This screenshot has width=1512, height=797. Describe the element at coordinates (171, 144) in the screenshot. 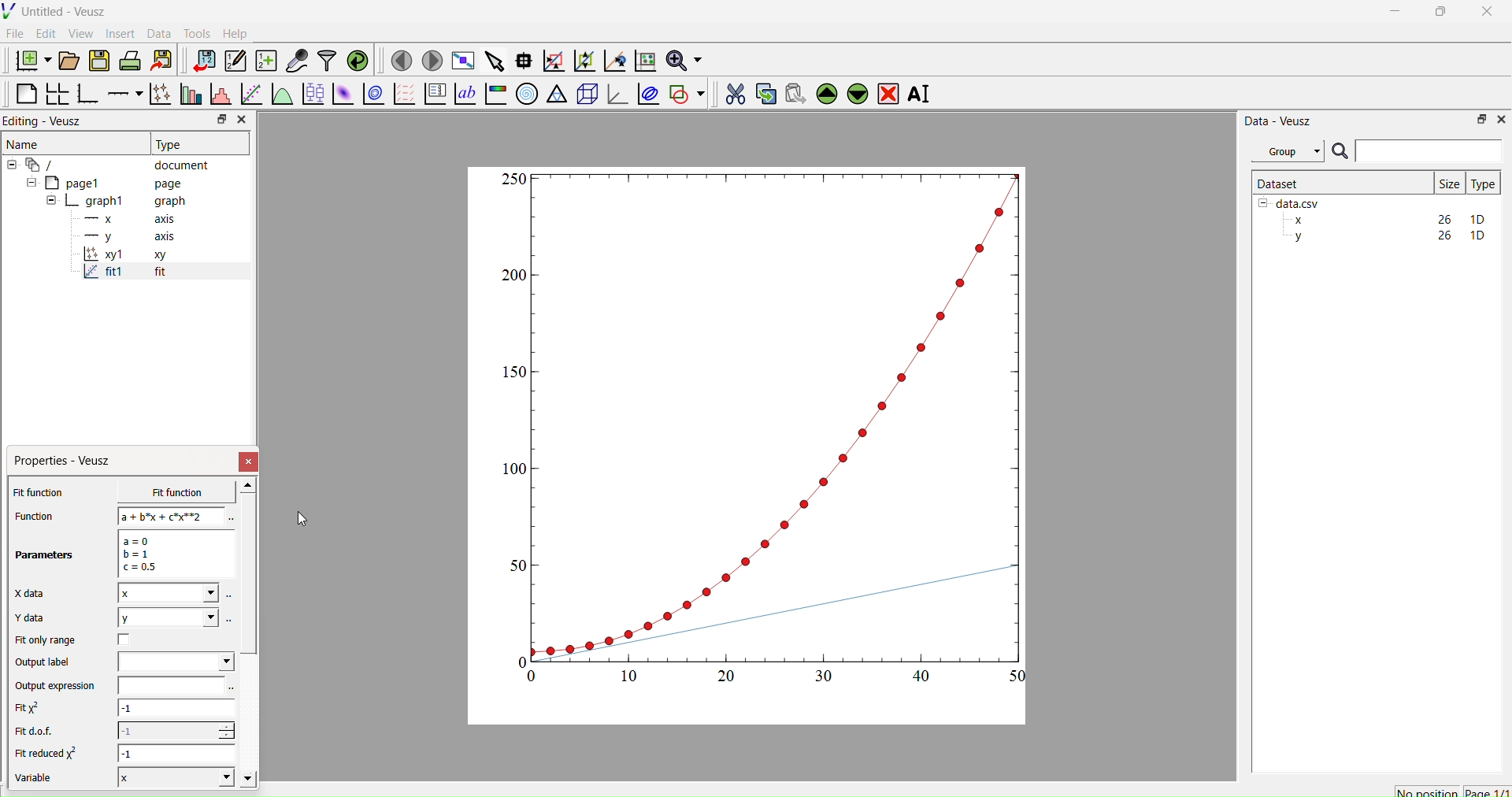

I see `Type` at that location.